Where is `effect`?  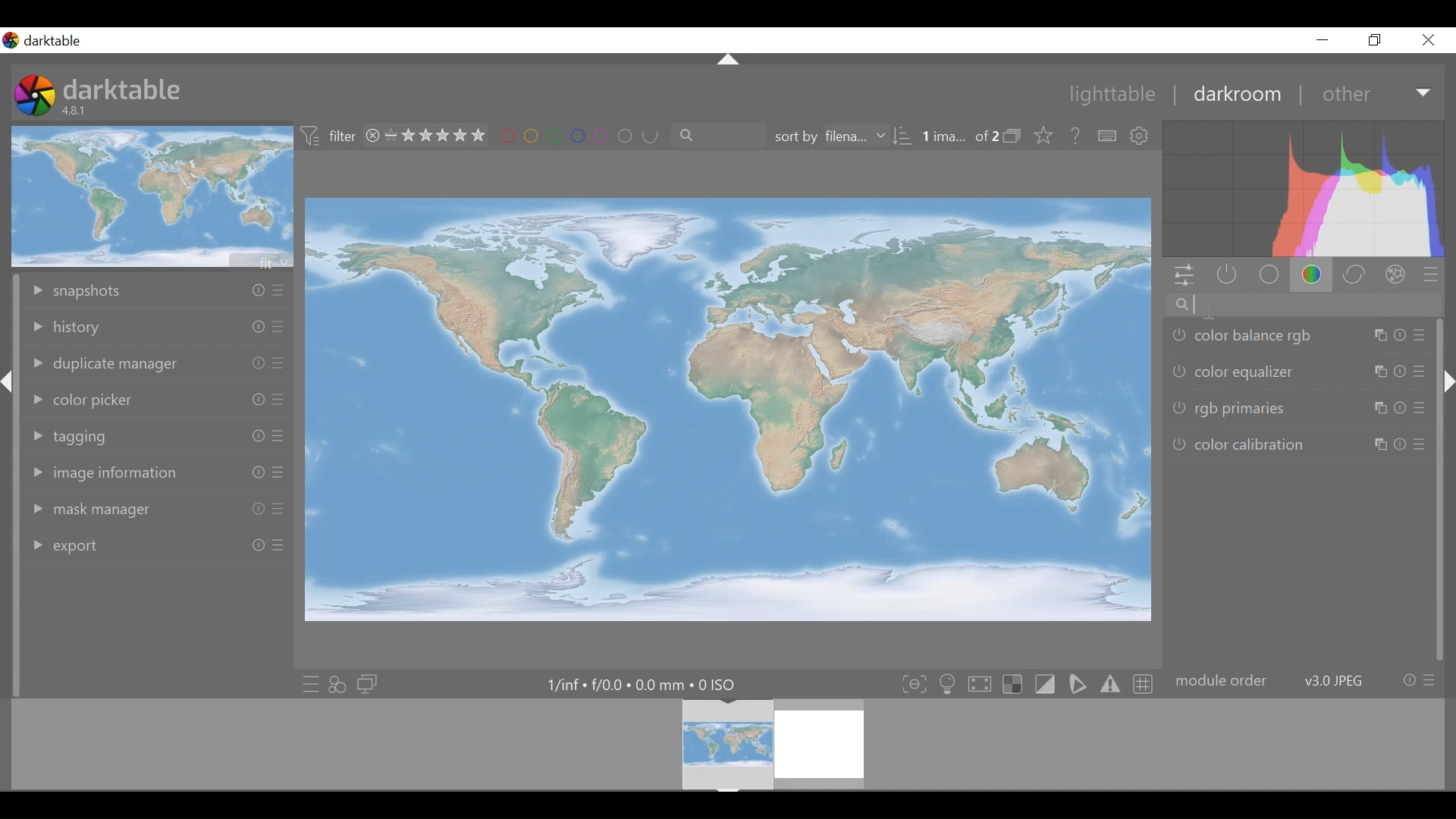
effect is located at coordinates (1395, 273).